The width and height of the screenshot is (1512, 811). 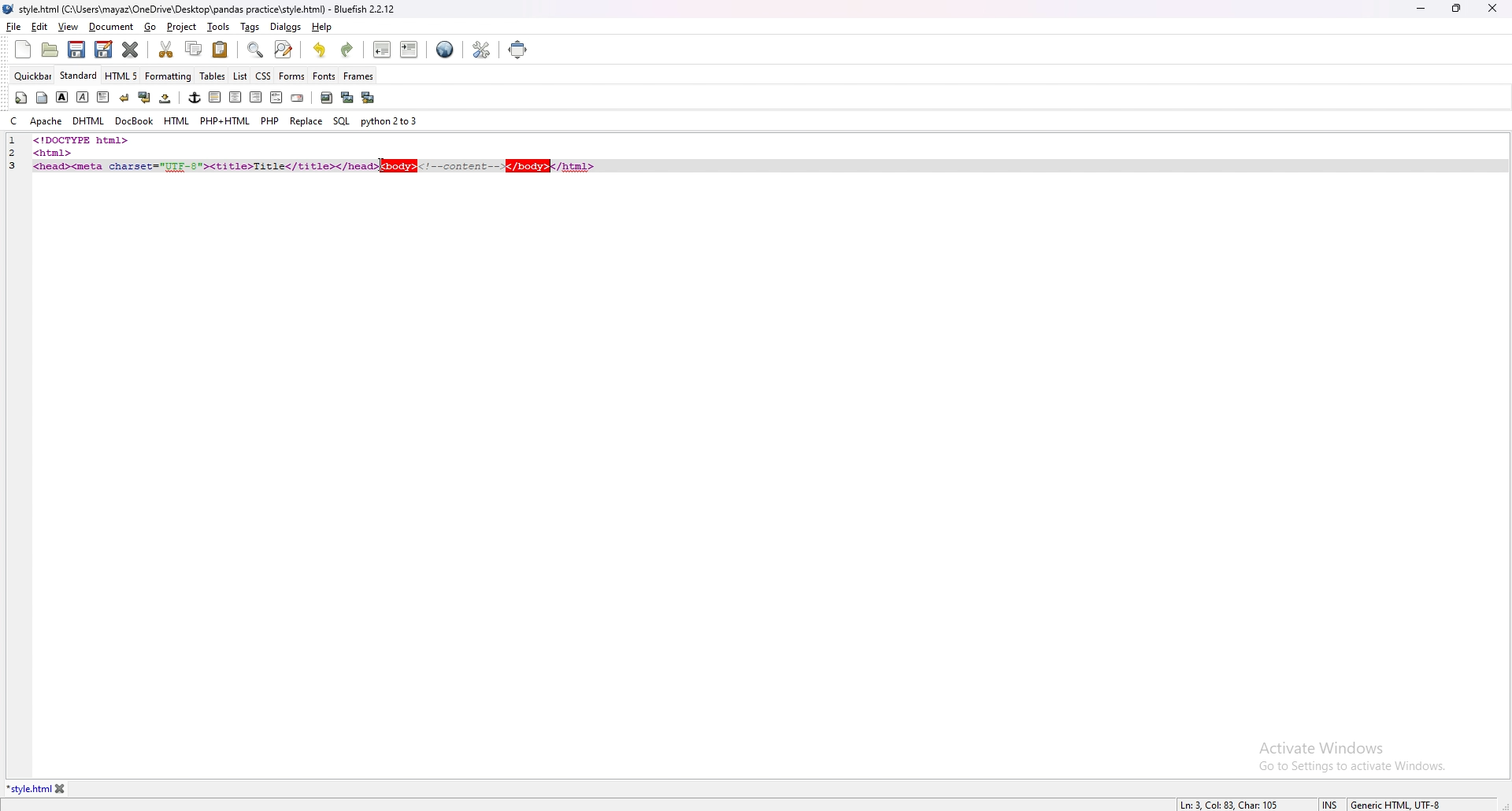 I want to click on apache, so click(x=46, y=121).